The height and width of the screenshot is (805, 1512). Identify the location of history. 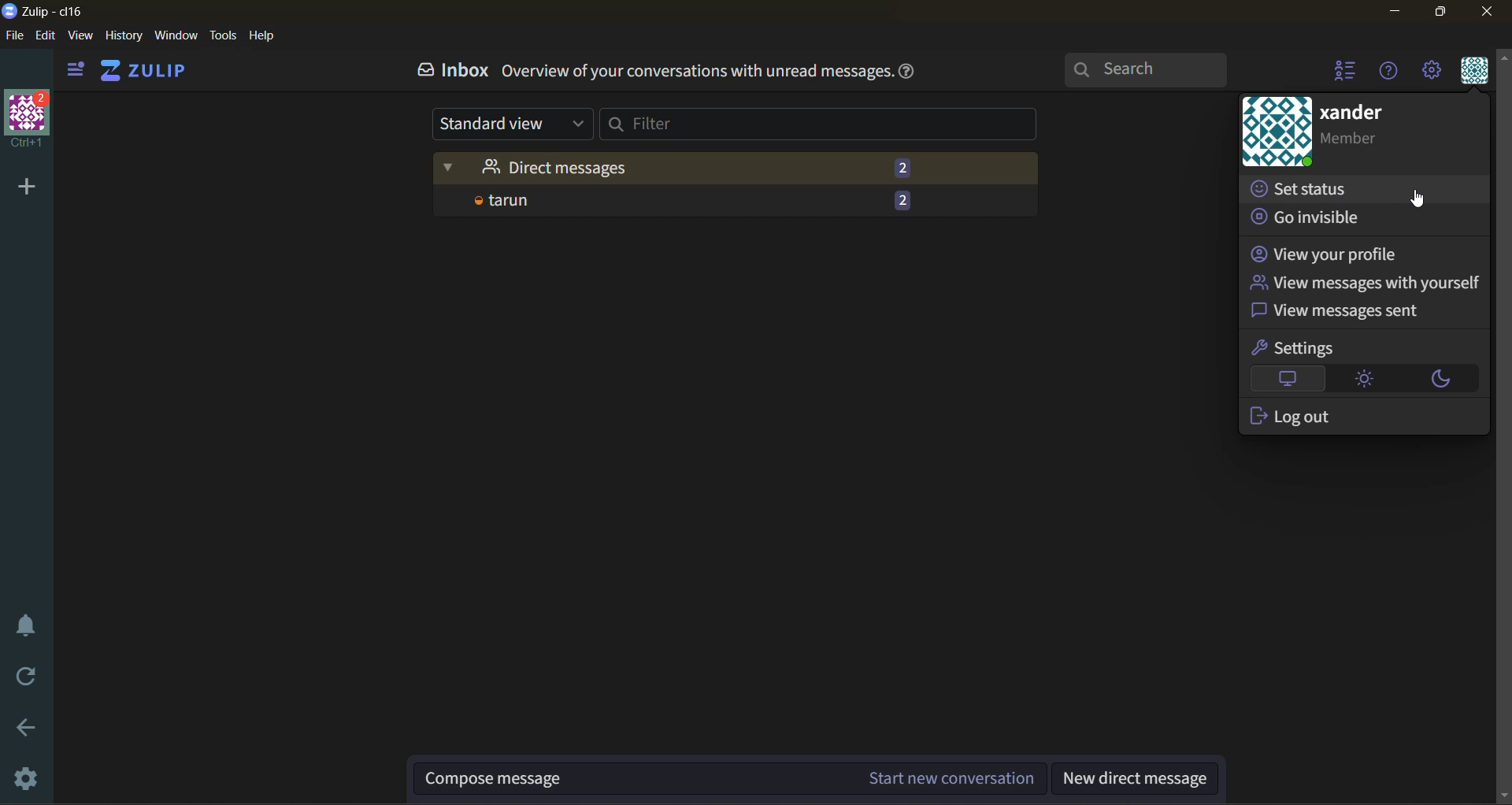
(123, 36).